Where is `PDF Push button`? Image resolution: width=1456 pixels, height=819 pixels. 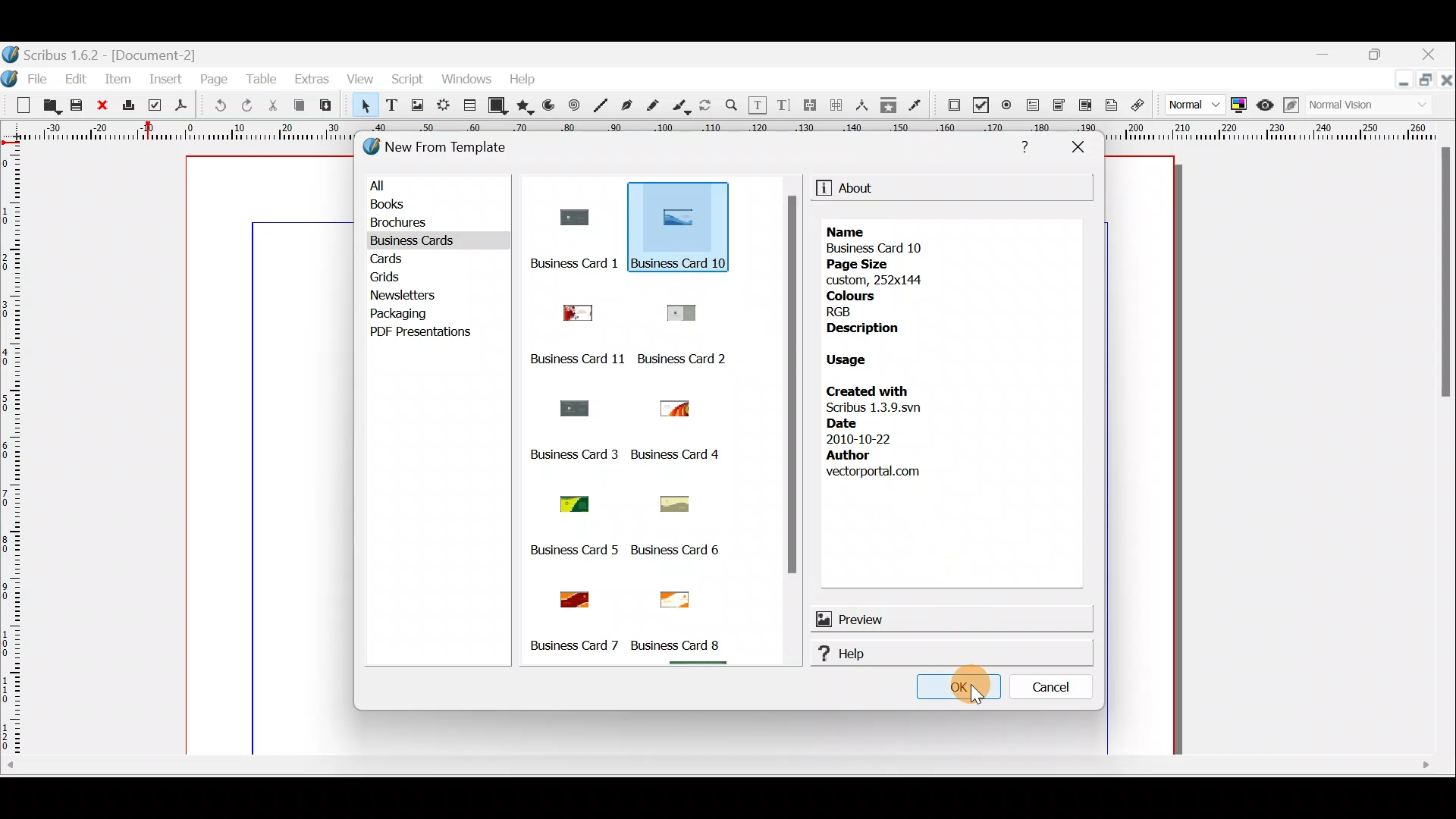
PDF Push button is located at coordinates (953, 105).